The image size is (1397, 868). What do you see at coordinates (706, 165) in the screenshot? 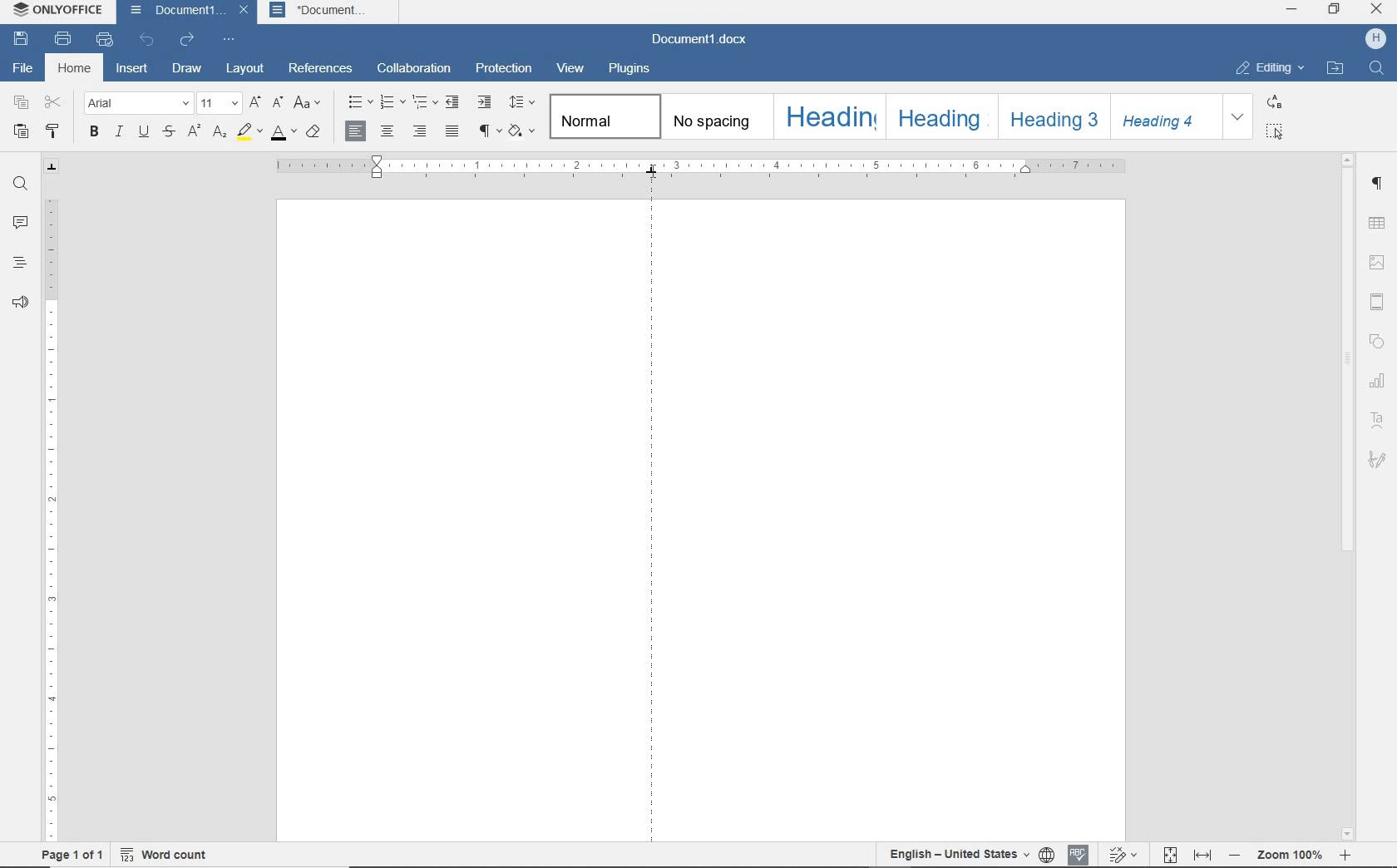
I see `RULER` at bounding box center [706, 165].